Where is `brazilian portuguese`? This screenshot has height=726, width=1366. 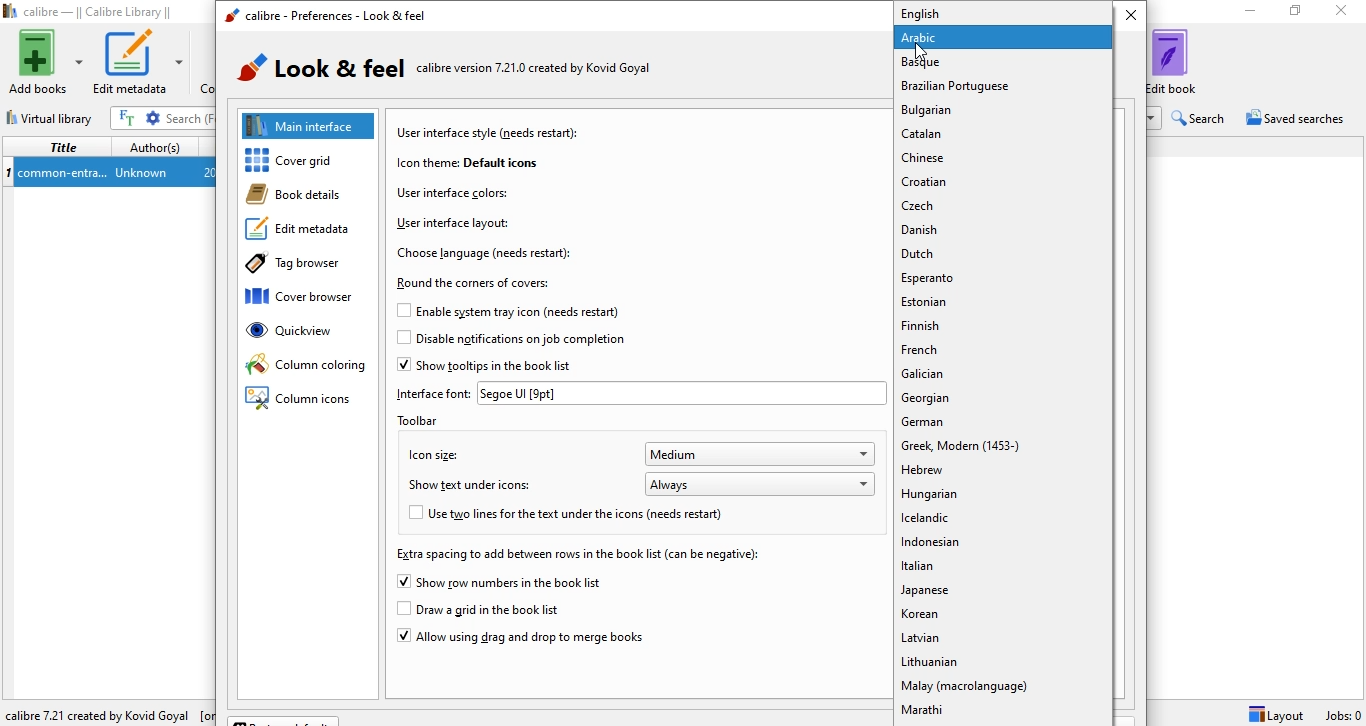 brazilian portuguese is located at coordinates (1001, 86).